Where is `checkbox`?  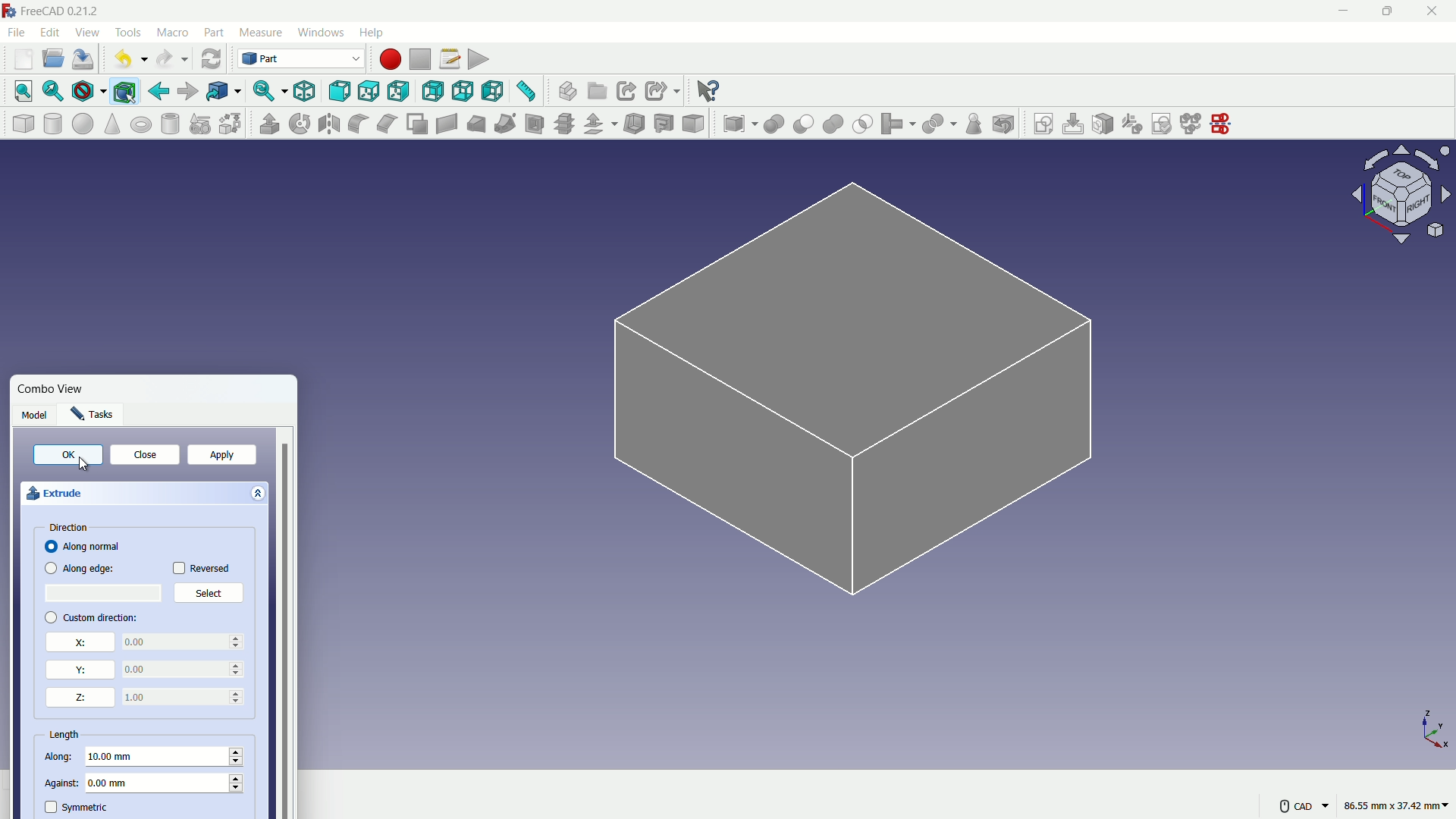
checkbox is located at coordinates (180, 567).